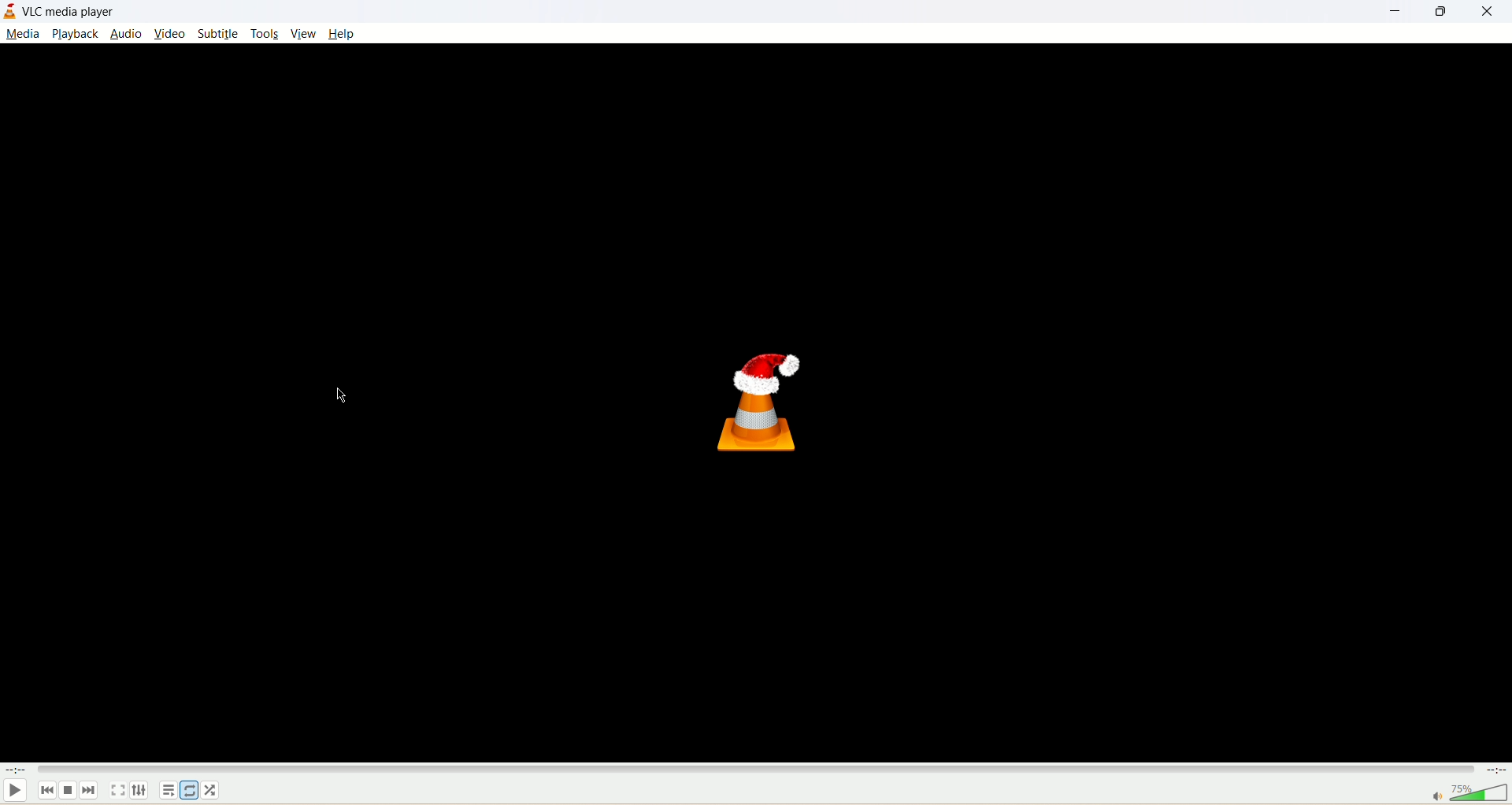 The width and height of the screenshot is (1512, 805). I want to click on subtitle, so click(218, 34).